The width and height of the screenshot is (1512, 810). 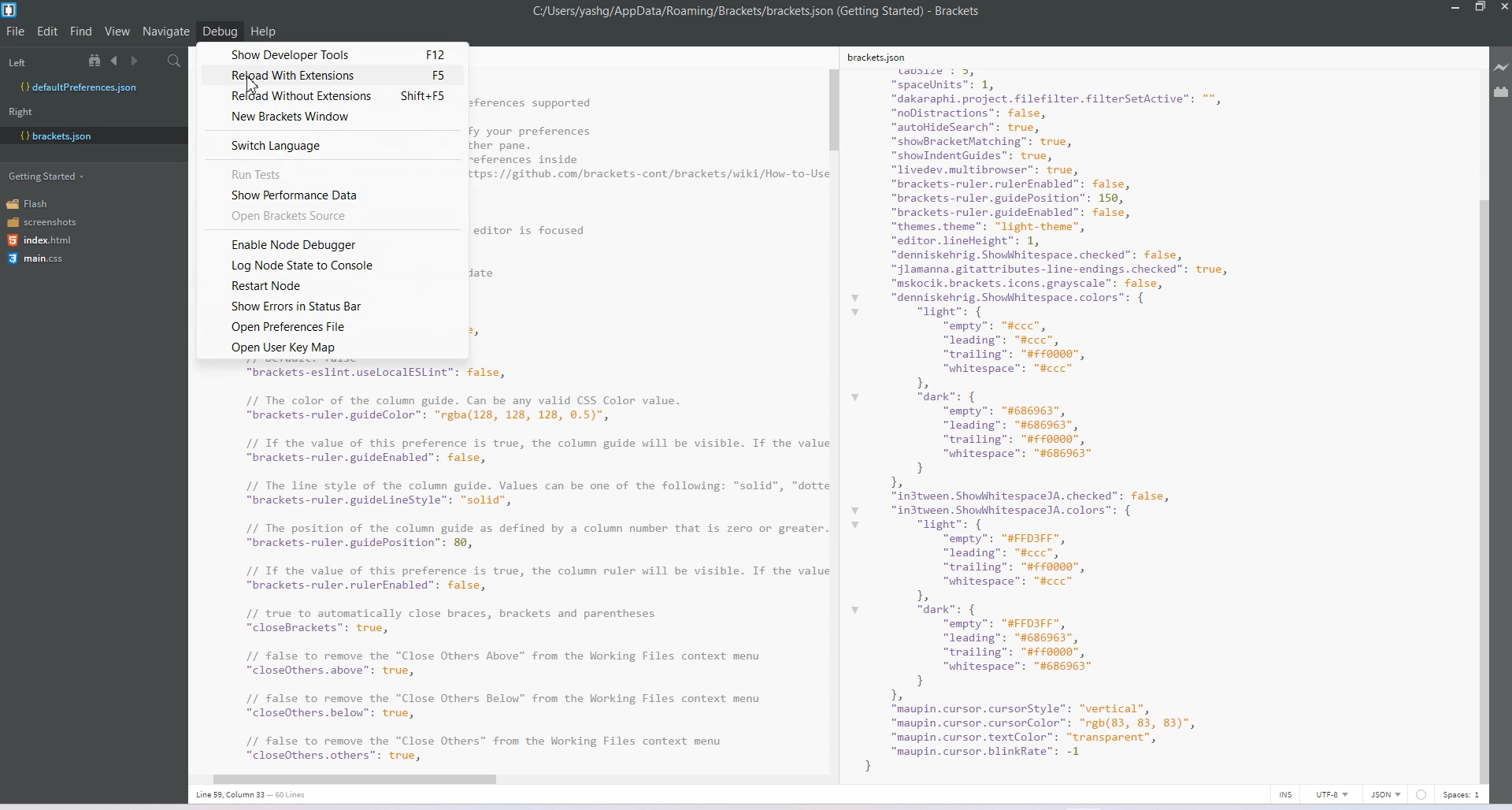 What do you see at coordinates (334, 145) in the screenshot?
I see `Switch Language` at bounding box center [334, 145].